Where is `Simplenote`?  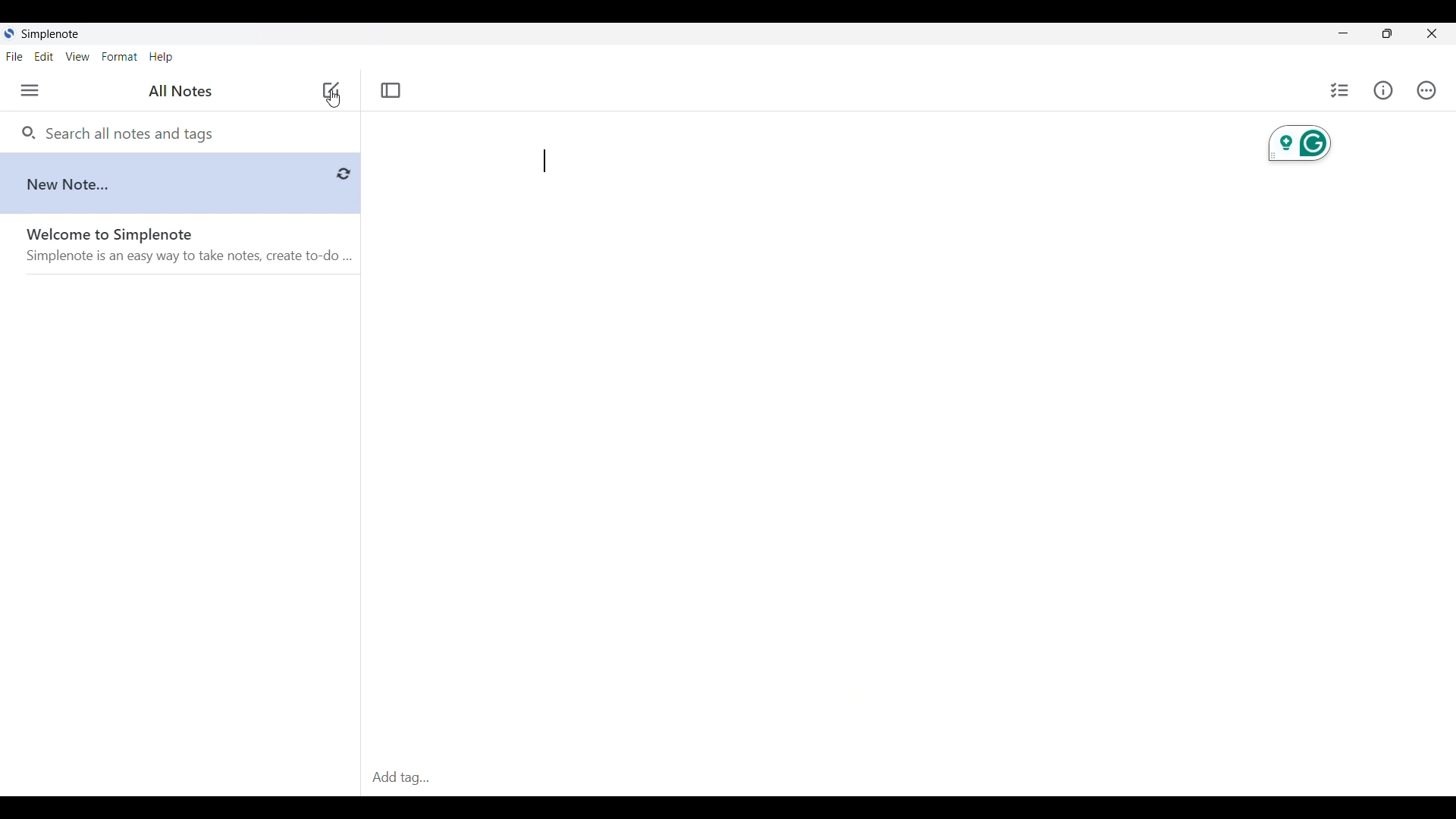
Simplenote is located at coordinates (50, 34).